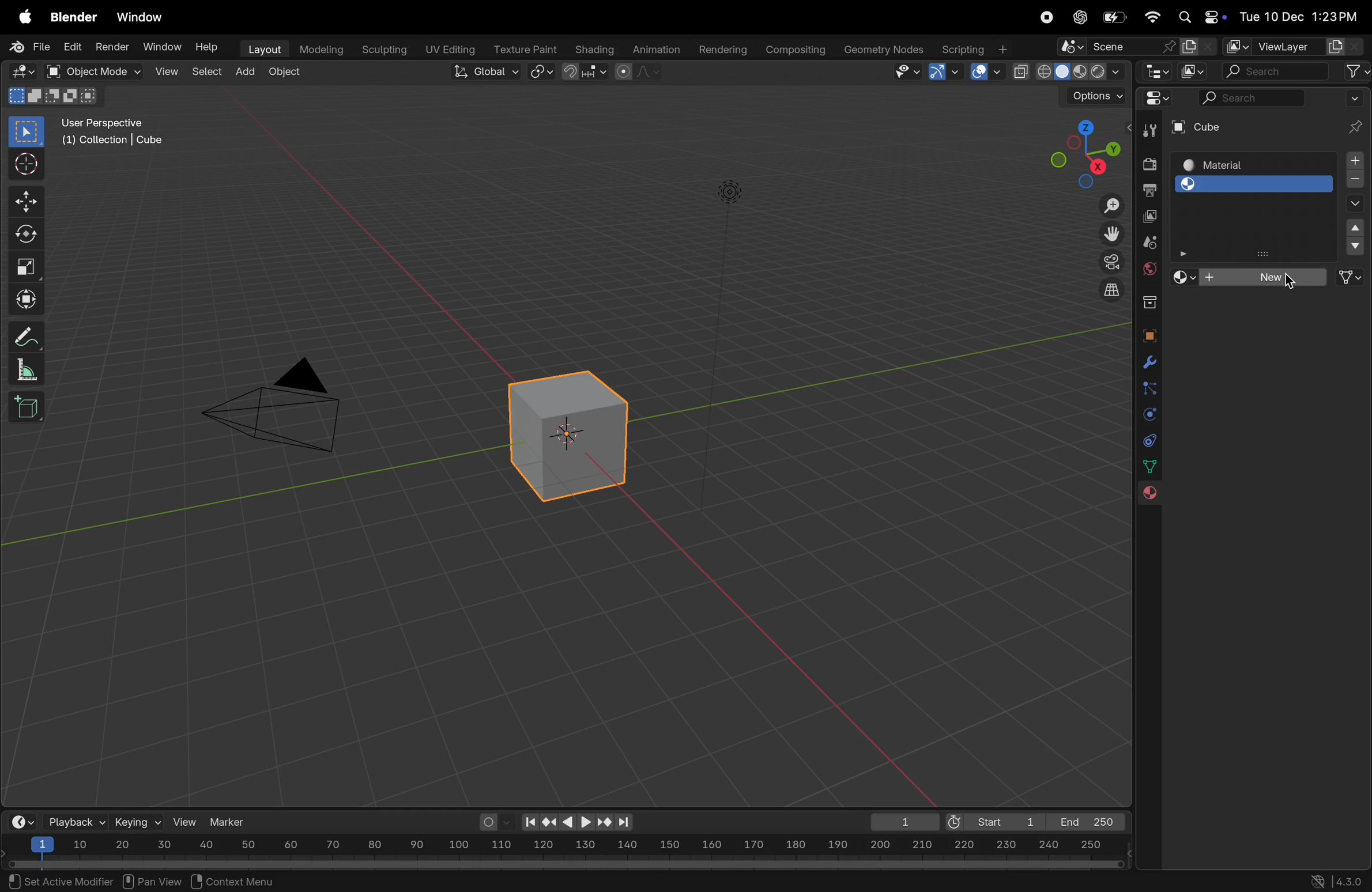 This screenshot has height=892, width=1372. Describe the element at coordinates (946, 71) in the screenshot. I see `show gimzo` at that location.